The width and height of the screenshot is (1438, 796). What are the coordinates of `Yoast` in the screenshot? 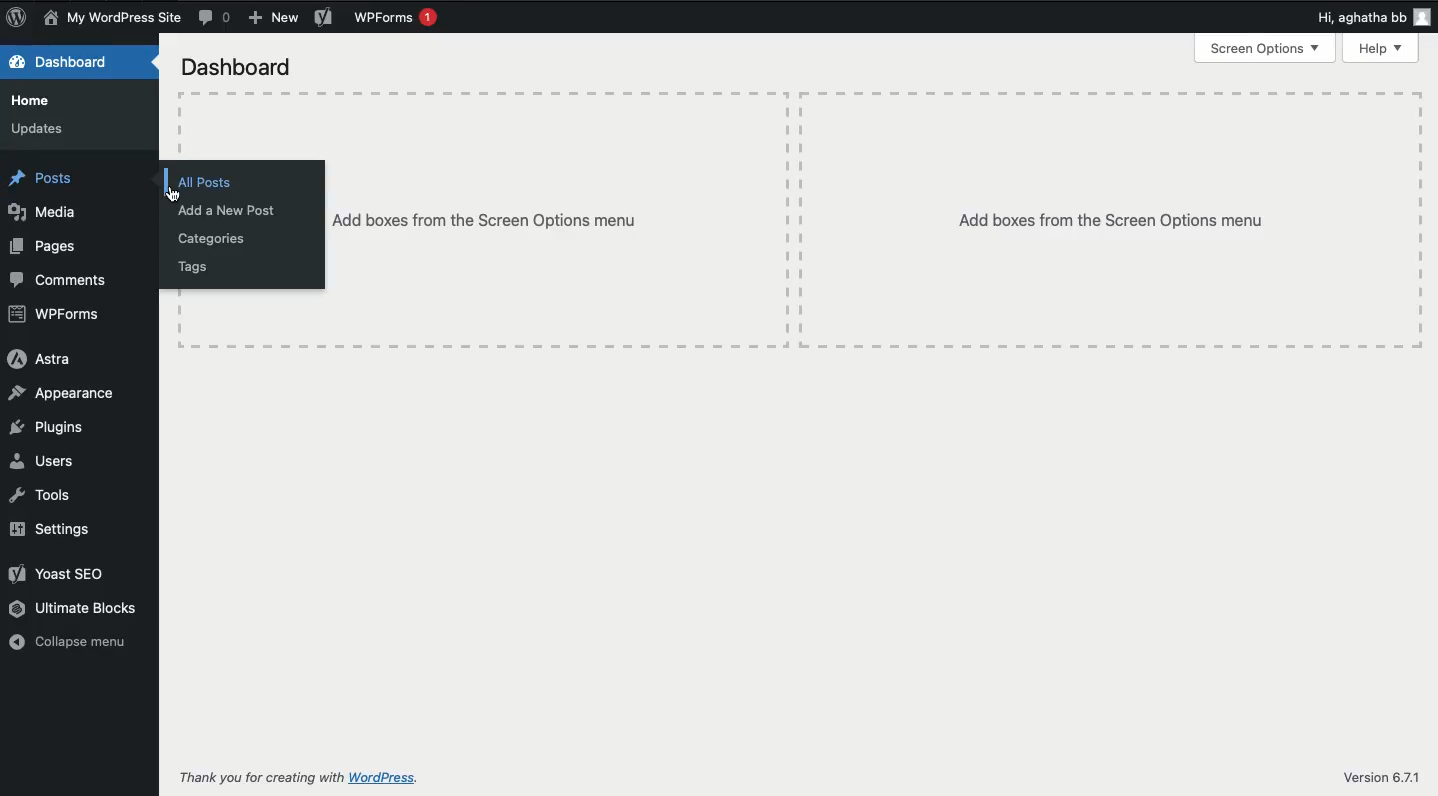 It's located at (324, 18).